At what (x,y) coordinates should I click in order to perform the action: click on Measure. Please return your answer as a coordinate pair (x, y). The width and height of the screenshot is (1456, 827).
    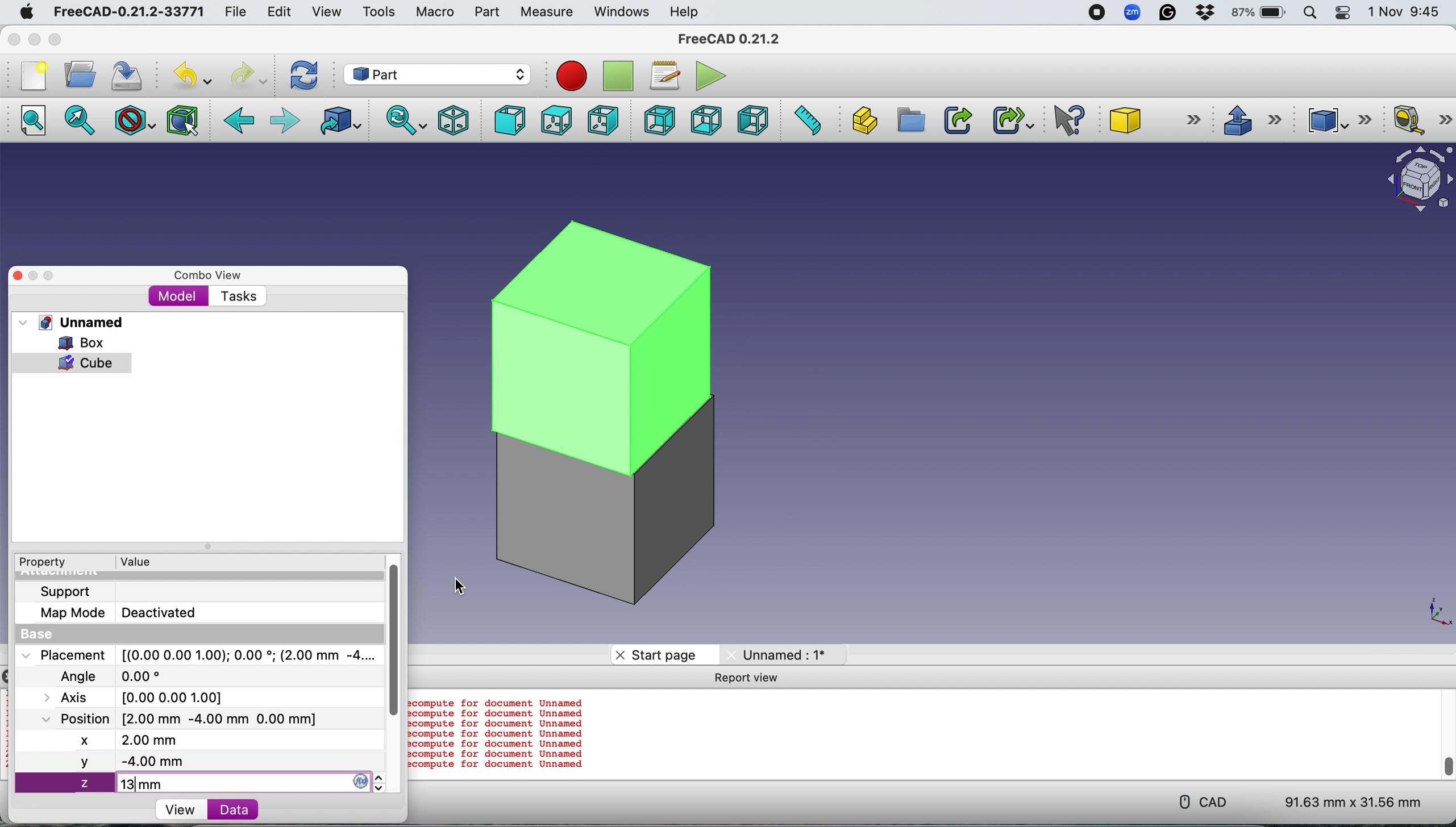
    Looking at the image, I should click on (549, 13).